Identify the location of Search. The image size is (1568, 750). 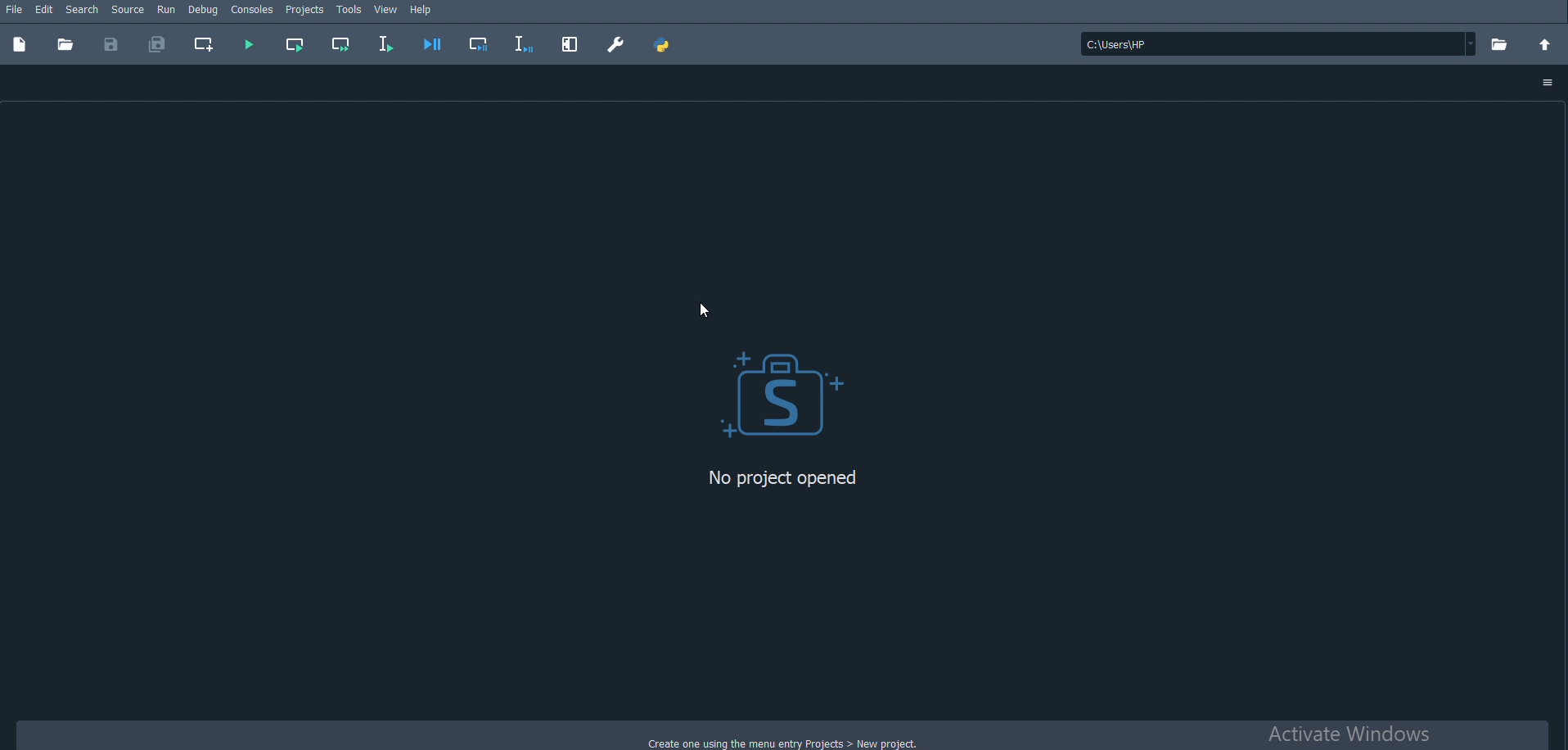
(82, 9).